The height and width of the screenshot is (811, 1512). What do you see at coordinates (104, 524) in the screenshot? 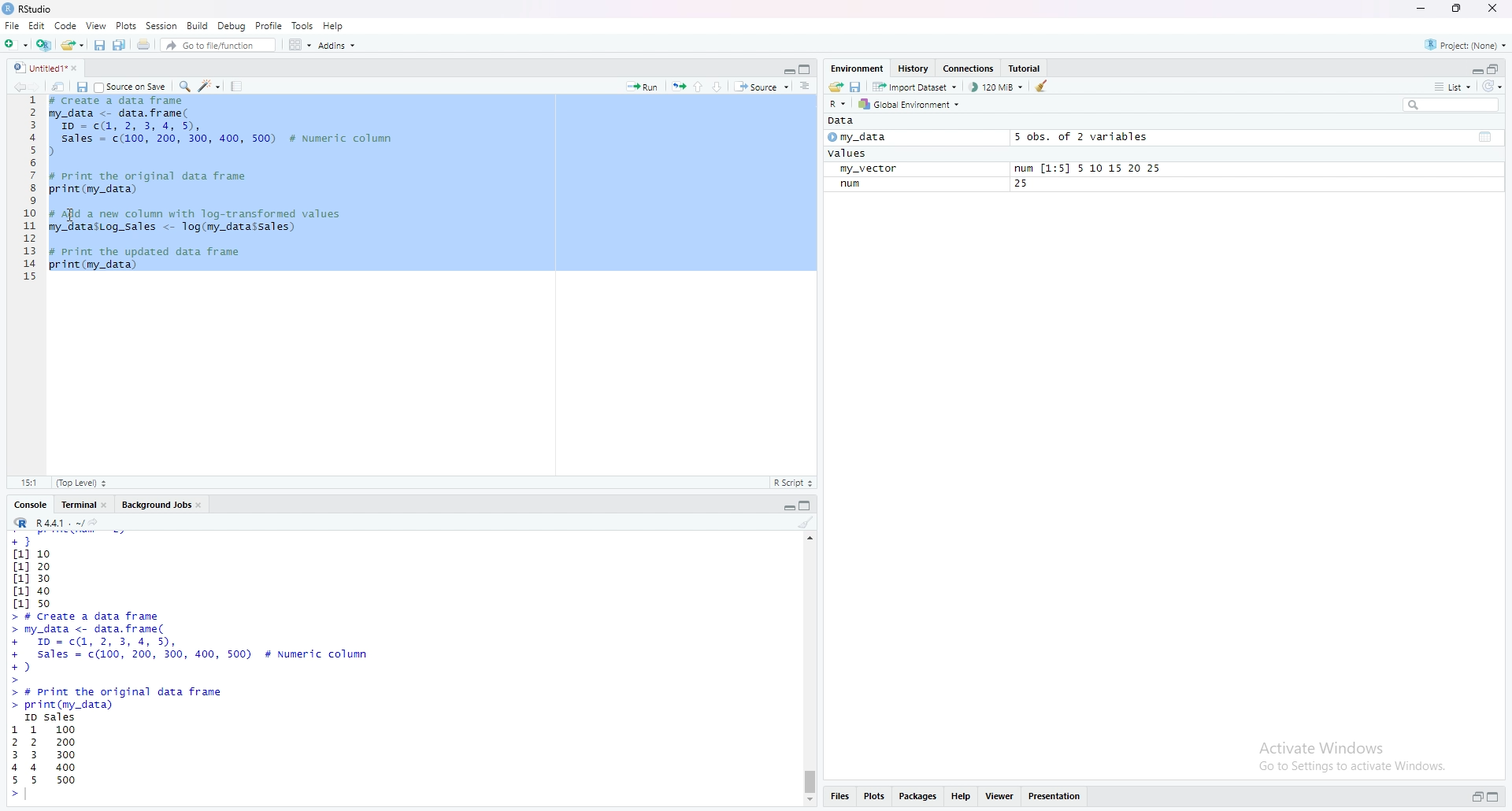
I see `view the current working directory` at bounding box center [104, 524].